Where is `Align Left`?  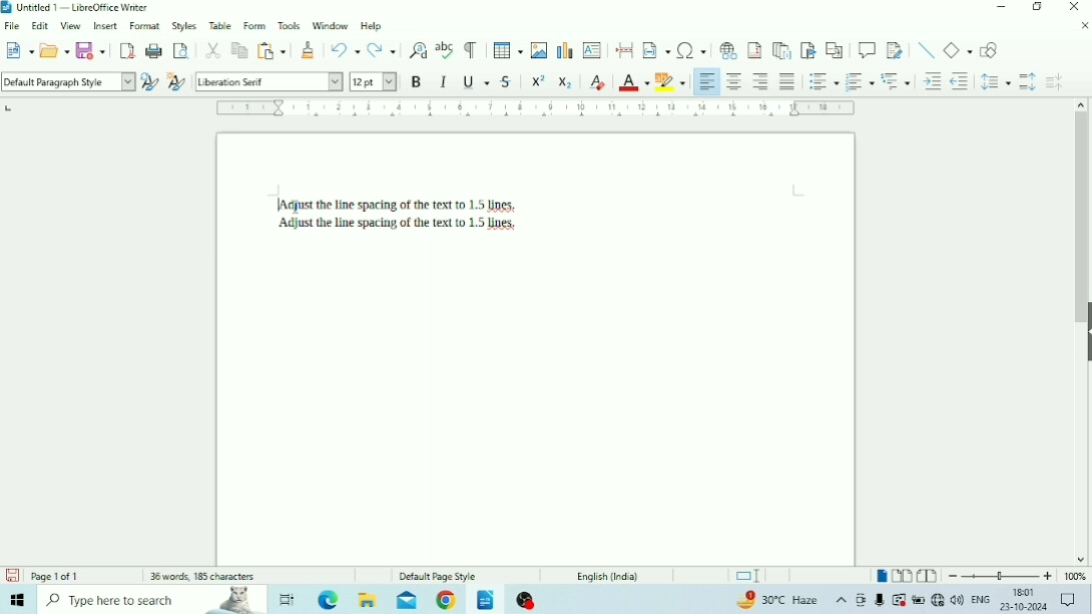 Align Left is located at coordinates (706, 81).